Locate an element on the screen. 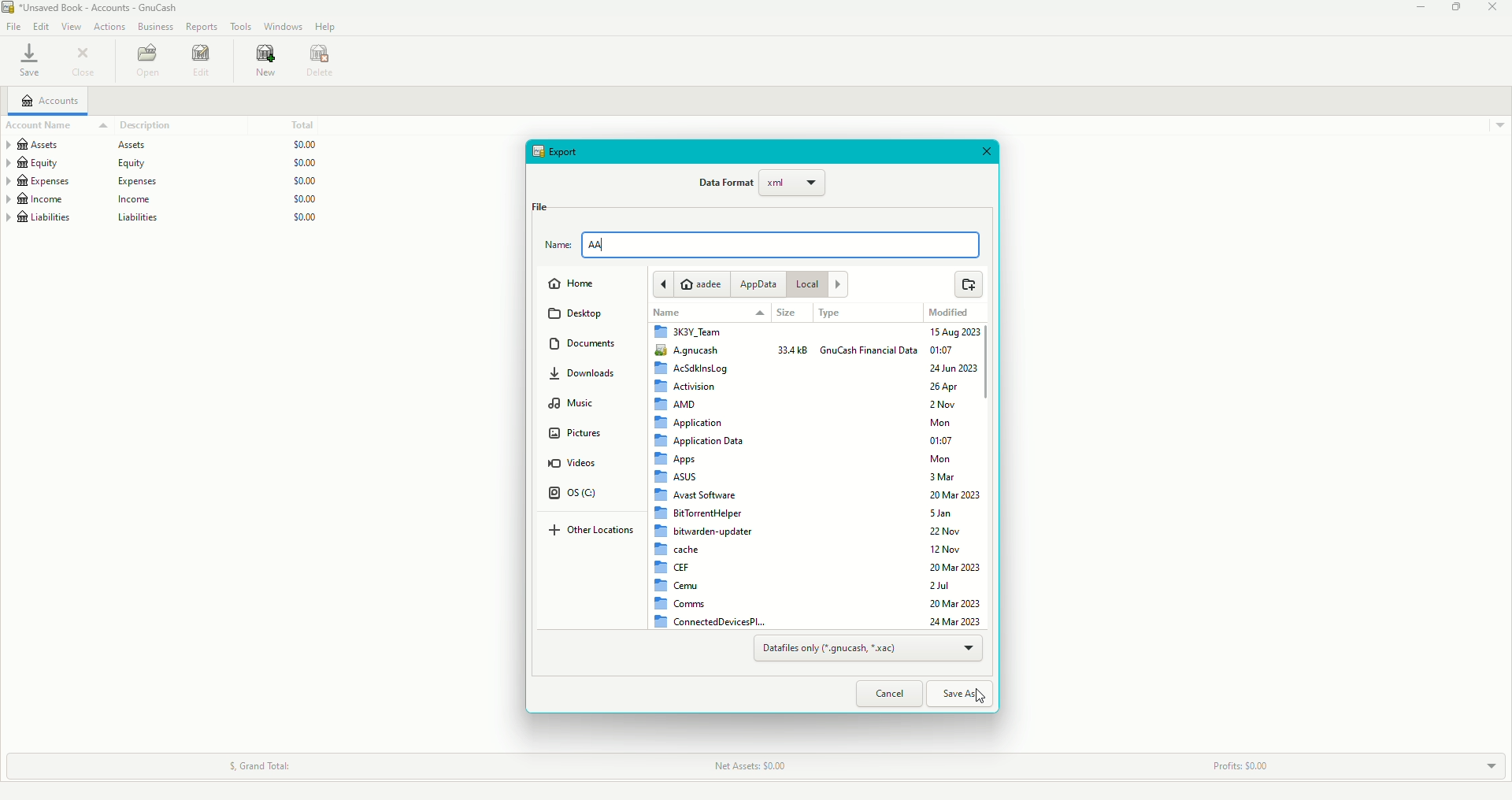 The width and height of the screenshot is (1512, 800). Equity is located at coordinates (172, 161).